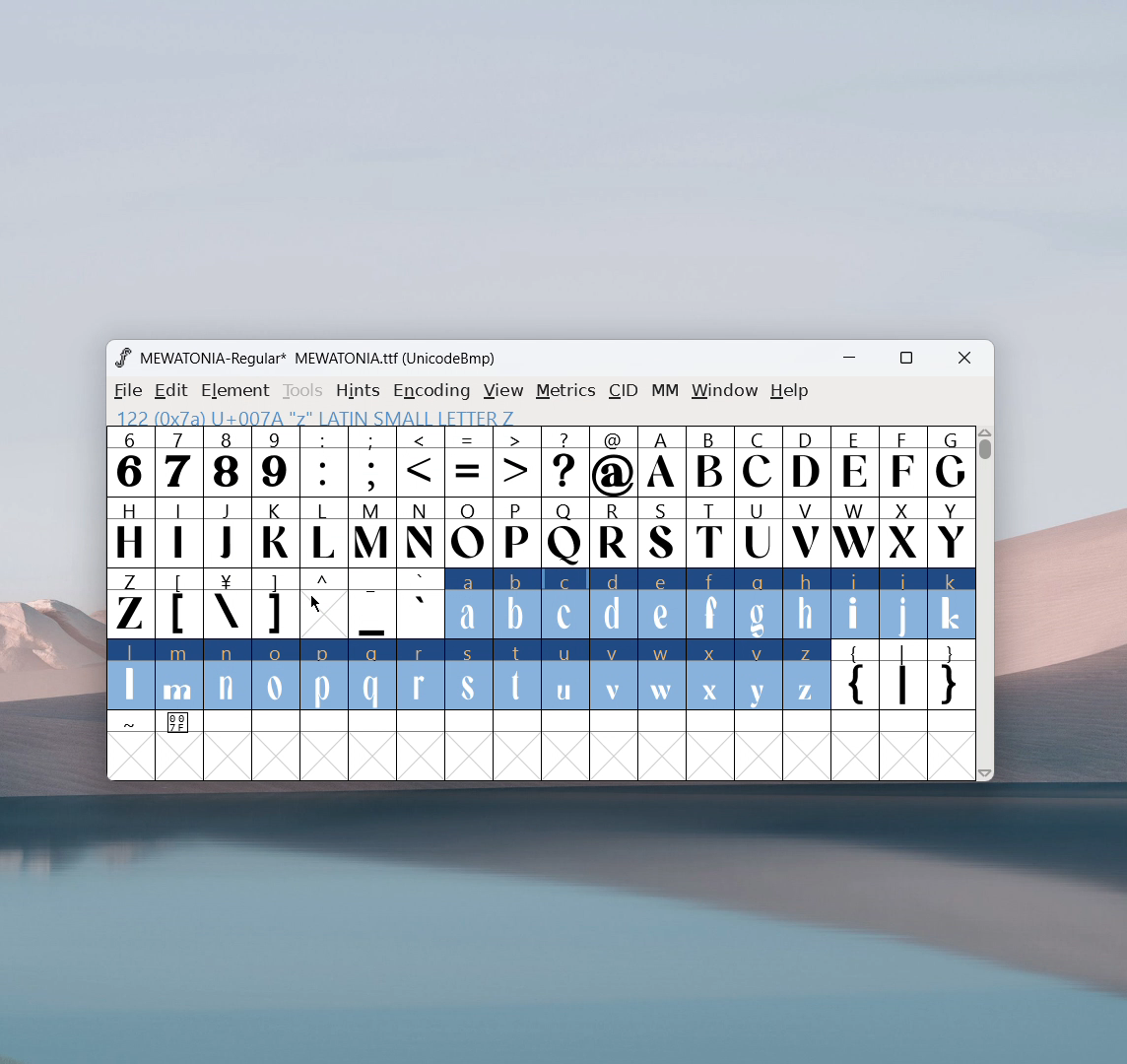 Image resolution: width=1127 pixels, height=1064 pixels. Describe the element at coordinates (277, 677) in the screenshot. I see `o` at that location.